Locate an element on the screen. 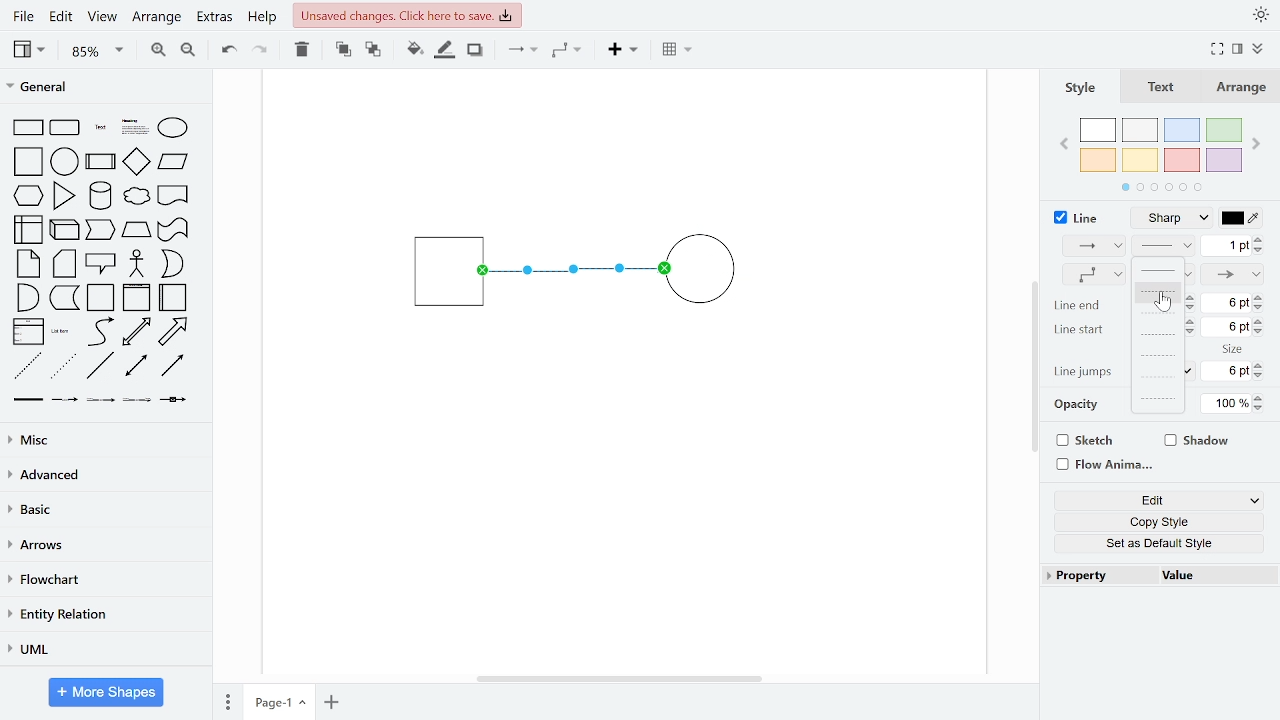  view is located at coordinates (100, 18).